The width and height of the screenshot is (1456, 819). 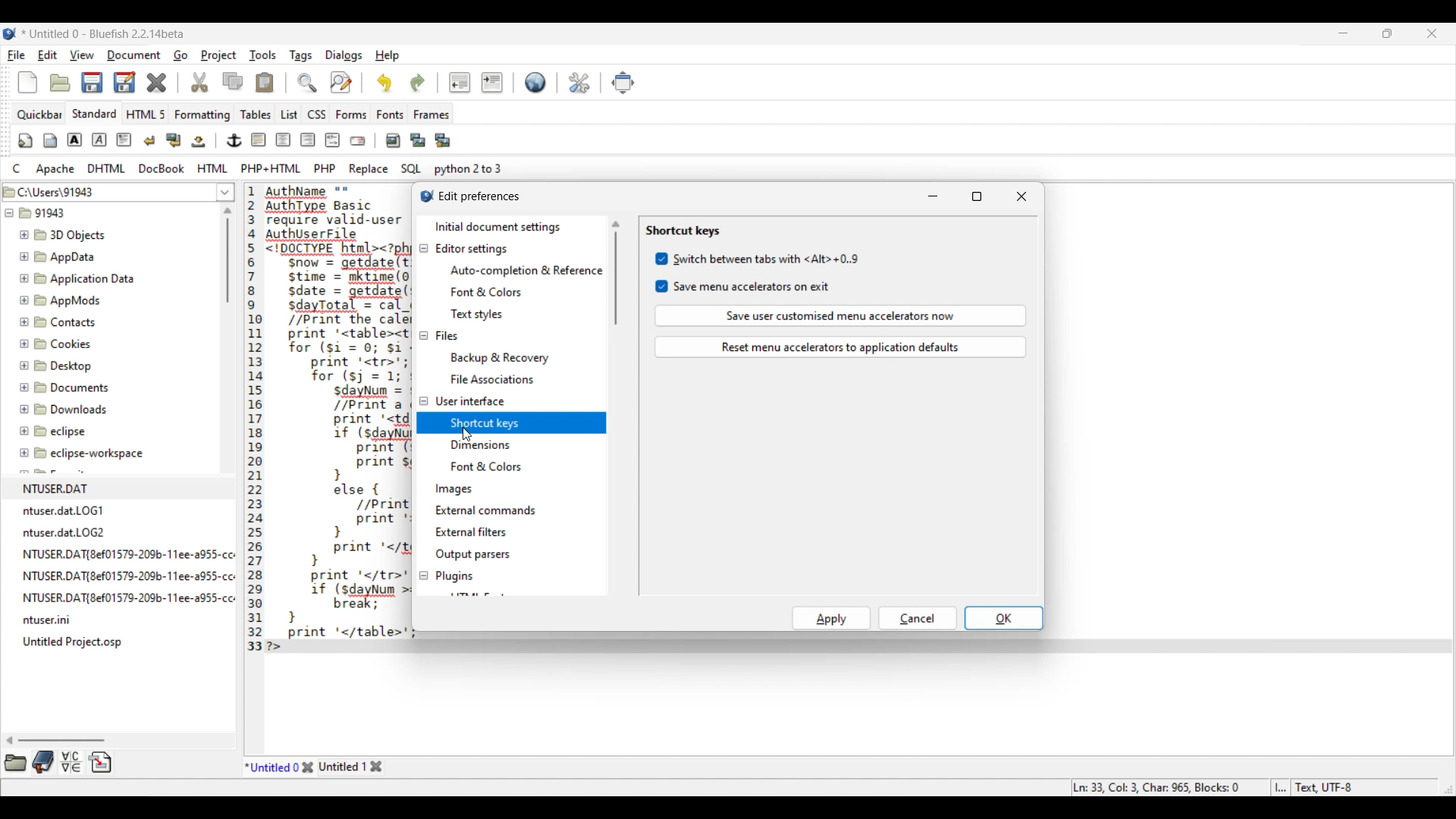 What do you see at coordinates (486, 510) in the screenshot?
I see `External commands` at bounding box center [486, 510].